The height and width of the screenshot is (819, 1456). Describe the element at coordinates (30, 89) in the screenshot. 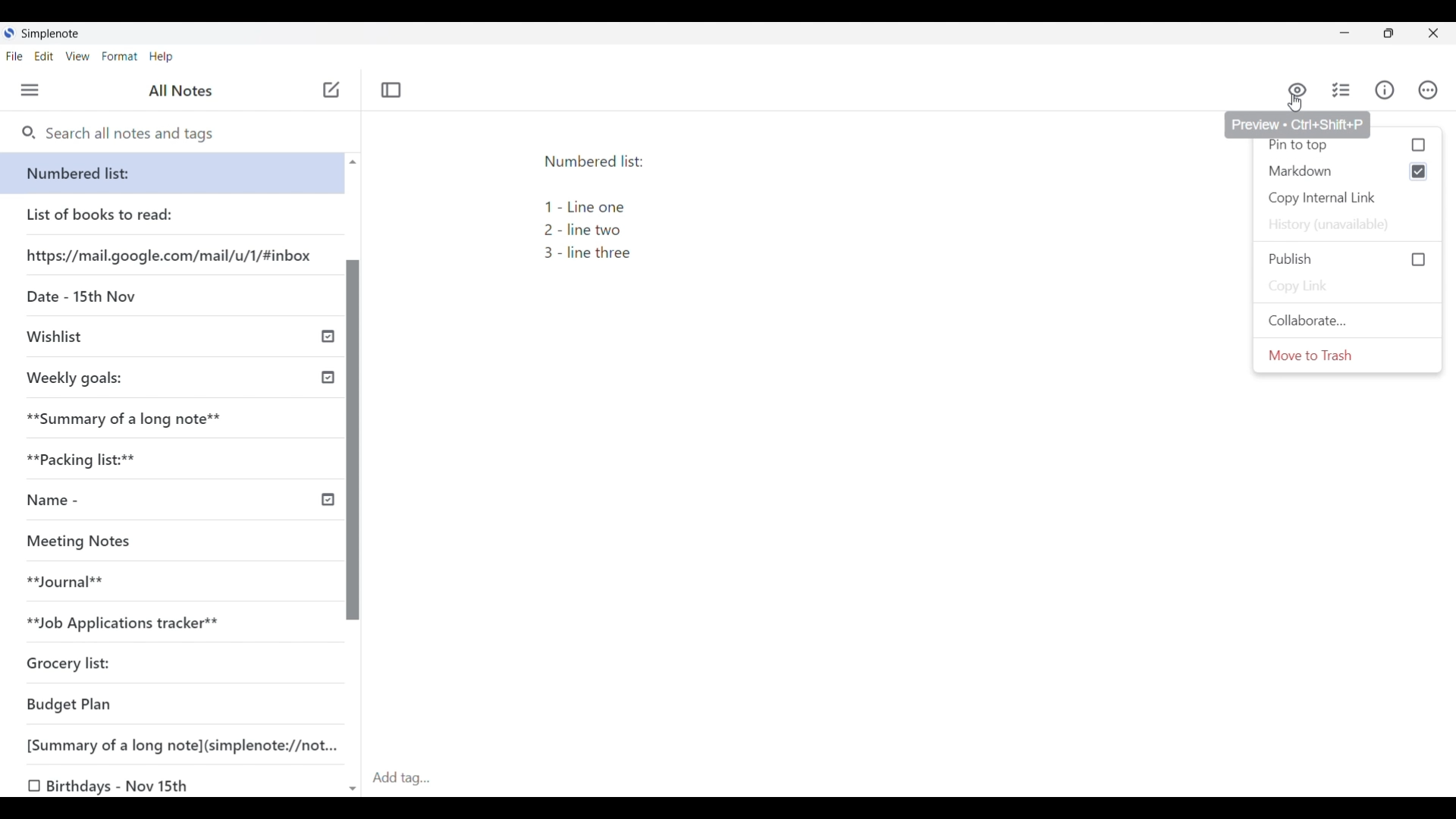

I see `Menu` at that location.